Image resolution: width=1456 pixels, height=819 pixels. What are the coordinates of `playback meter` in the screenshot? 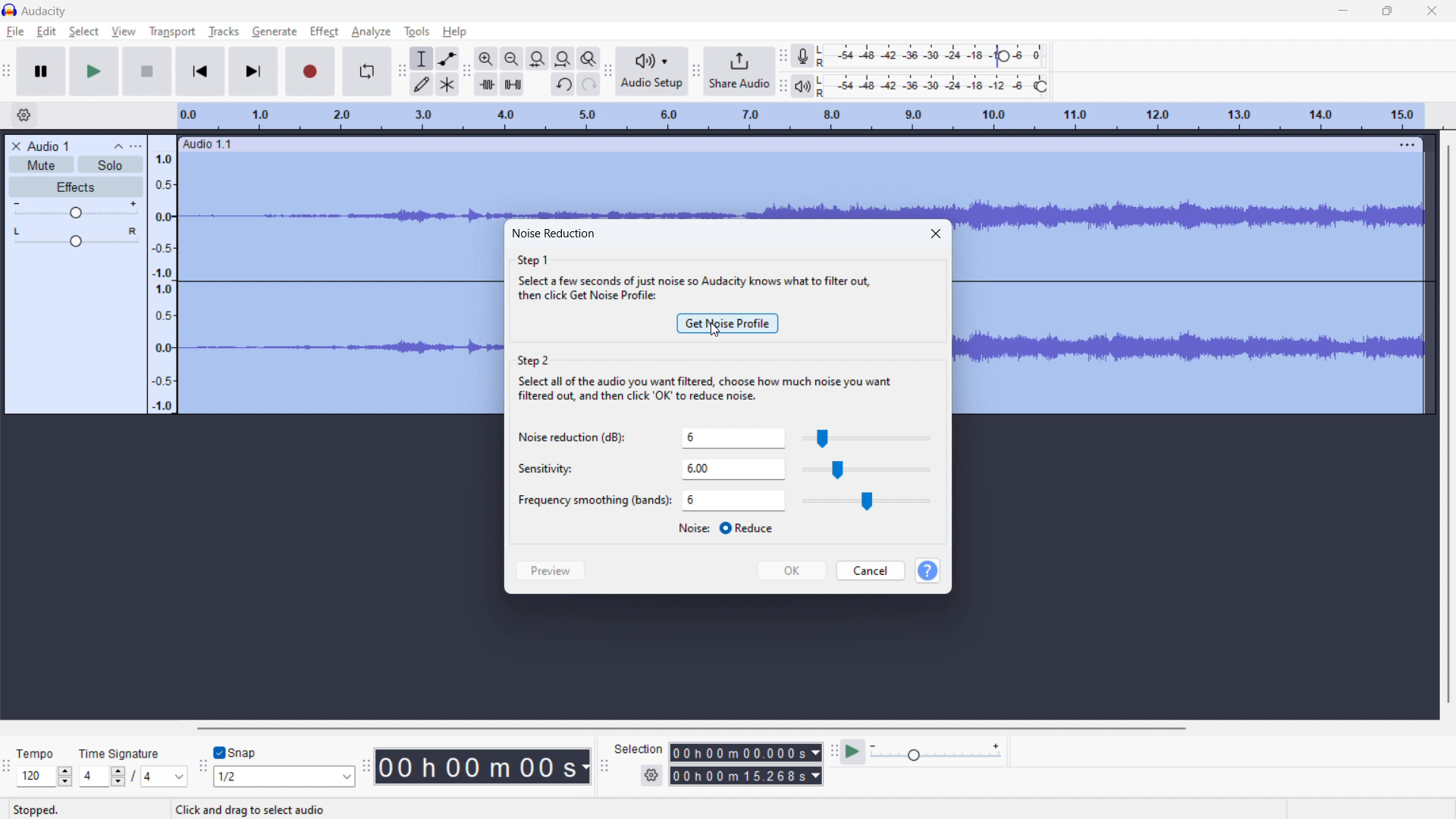 It's located at (937, 752).